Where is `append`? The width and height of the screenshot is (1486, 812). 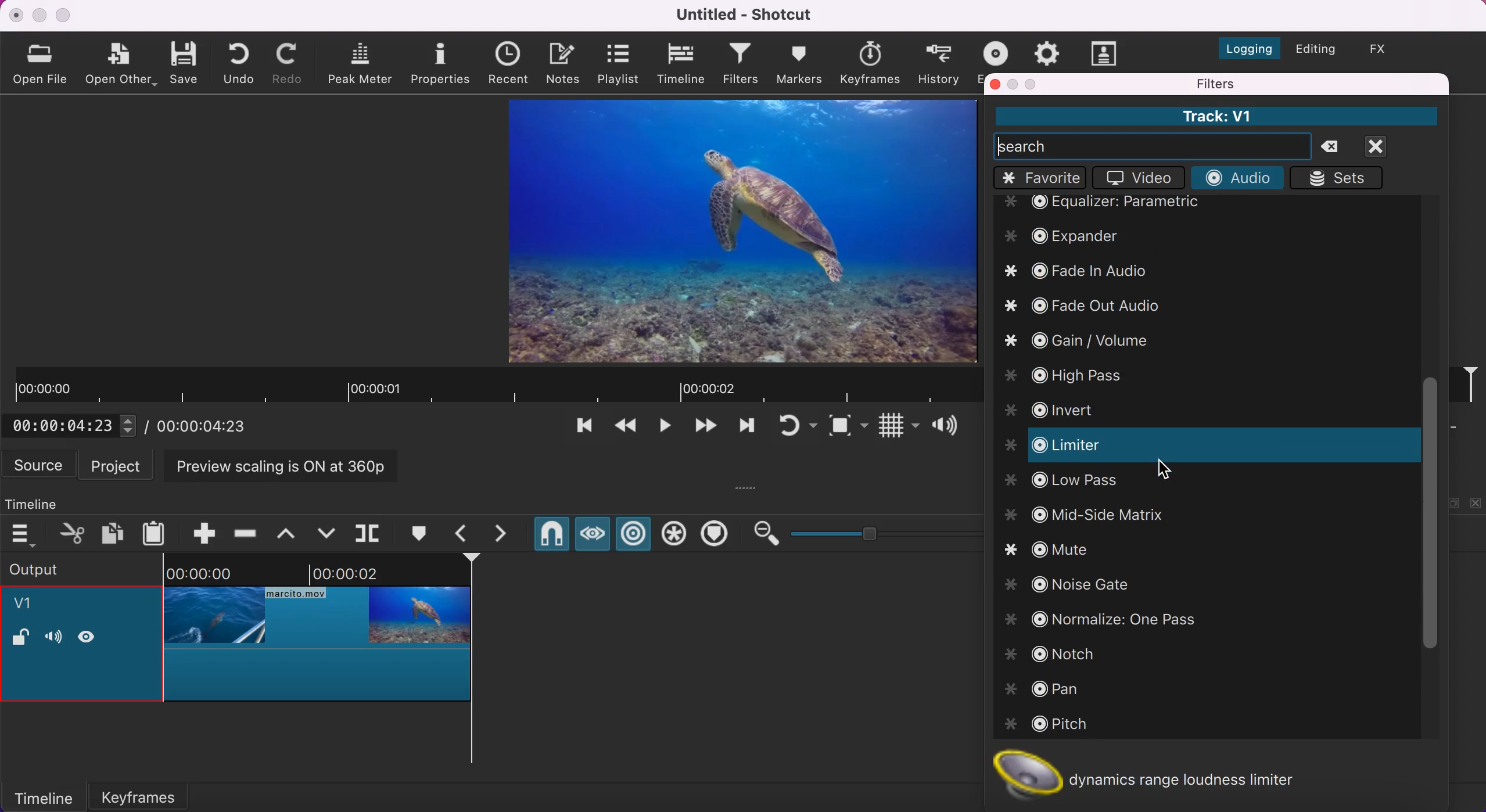
append is located at coordinates (196, 531).